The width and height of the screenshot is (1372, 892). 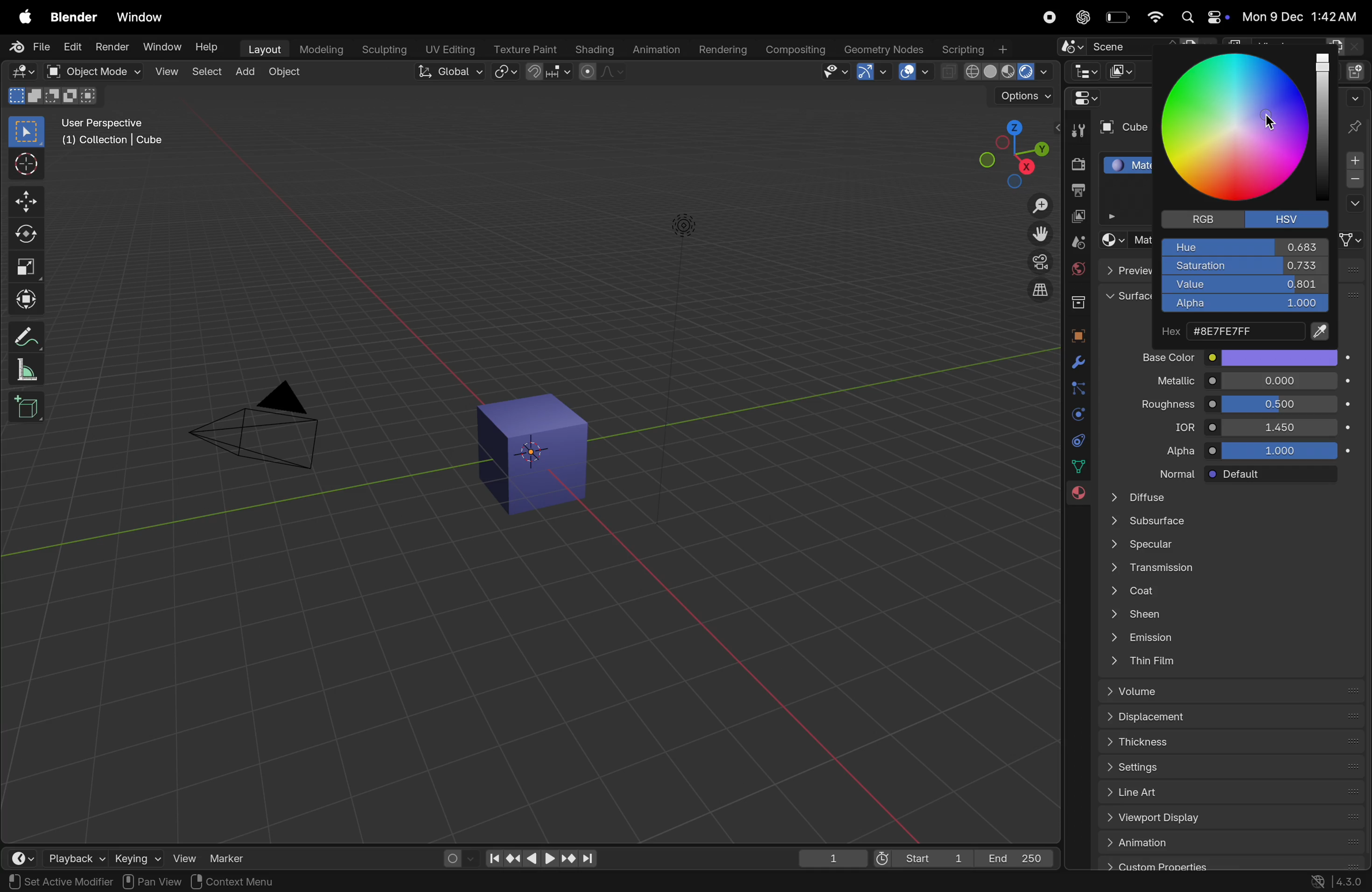 What do you see at coordinates (1224, 617) in the screenshot?
I see `sheen` at bounding box center [1224, 617].